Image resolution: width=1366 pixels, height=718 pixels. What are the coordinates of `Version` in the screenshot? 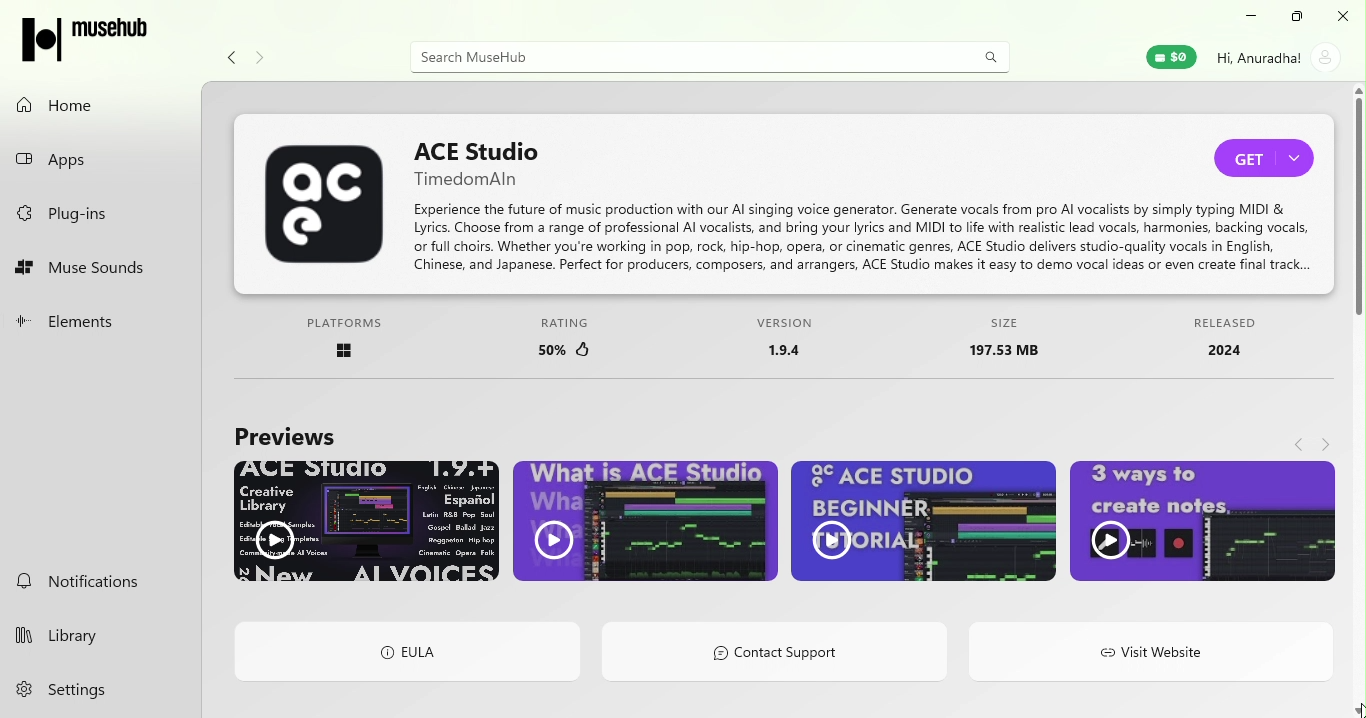 It's located at (787, 344).